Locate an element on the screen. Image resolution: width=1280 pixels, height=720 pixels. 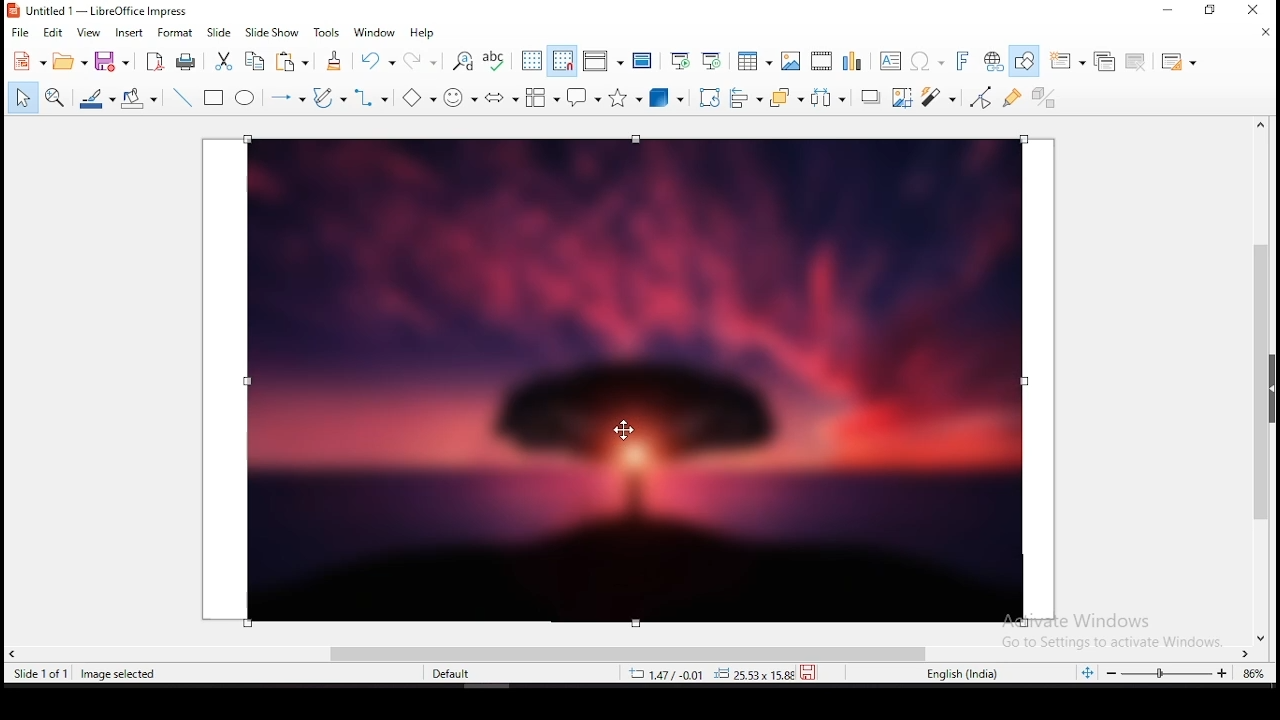
cut is located at coordinates (224, 61).